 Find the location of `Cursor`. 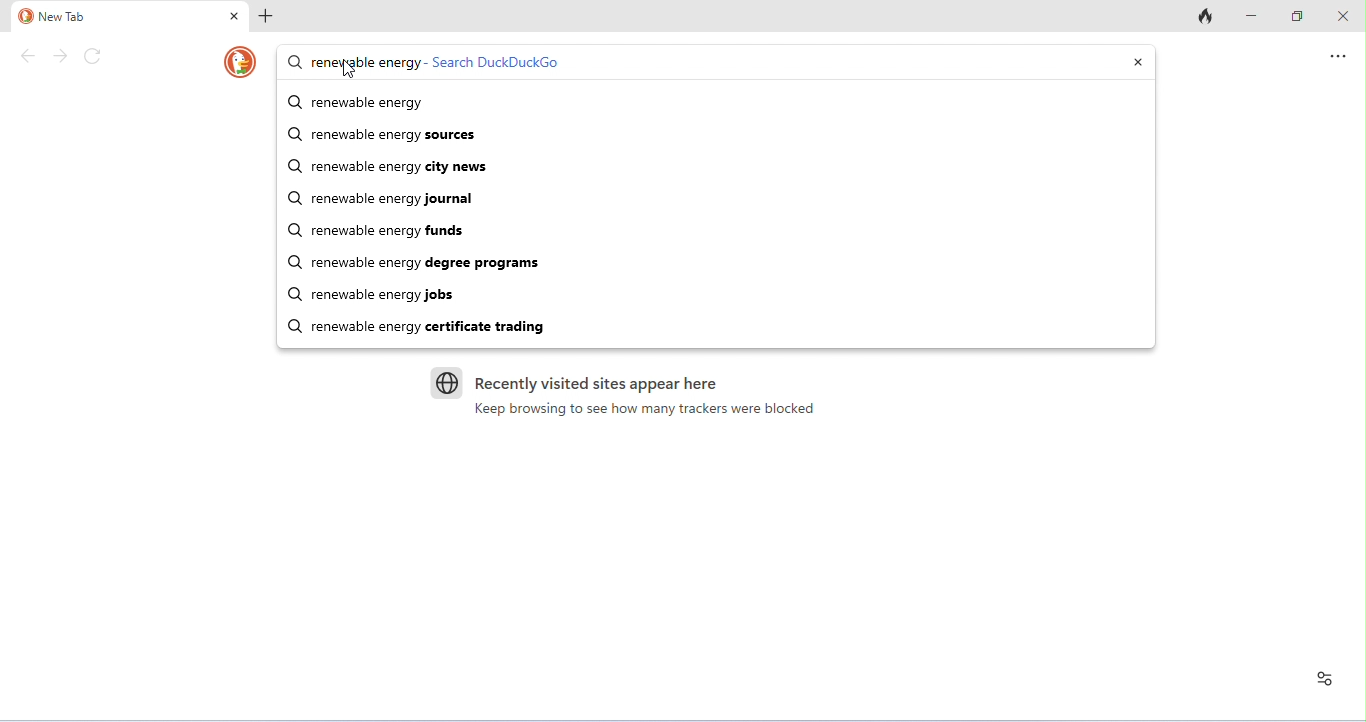

Cursor is located at coordinates (349, 69).